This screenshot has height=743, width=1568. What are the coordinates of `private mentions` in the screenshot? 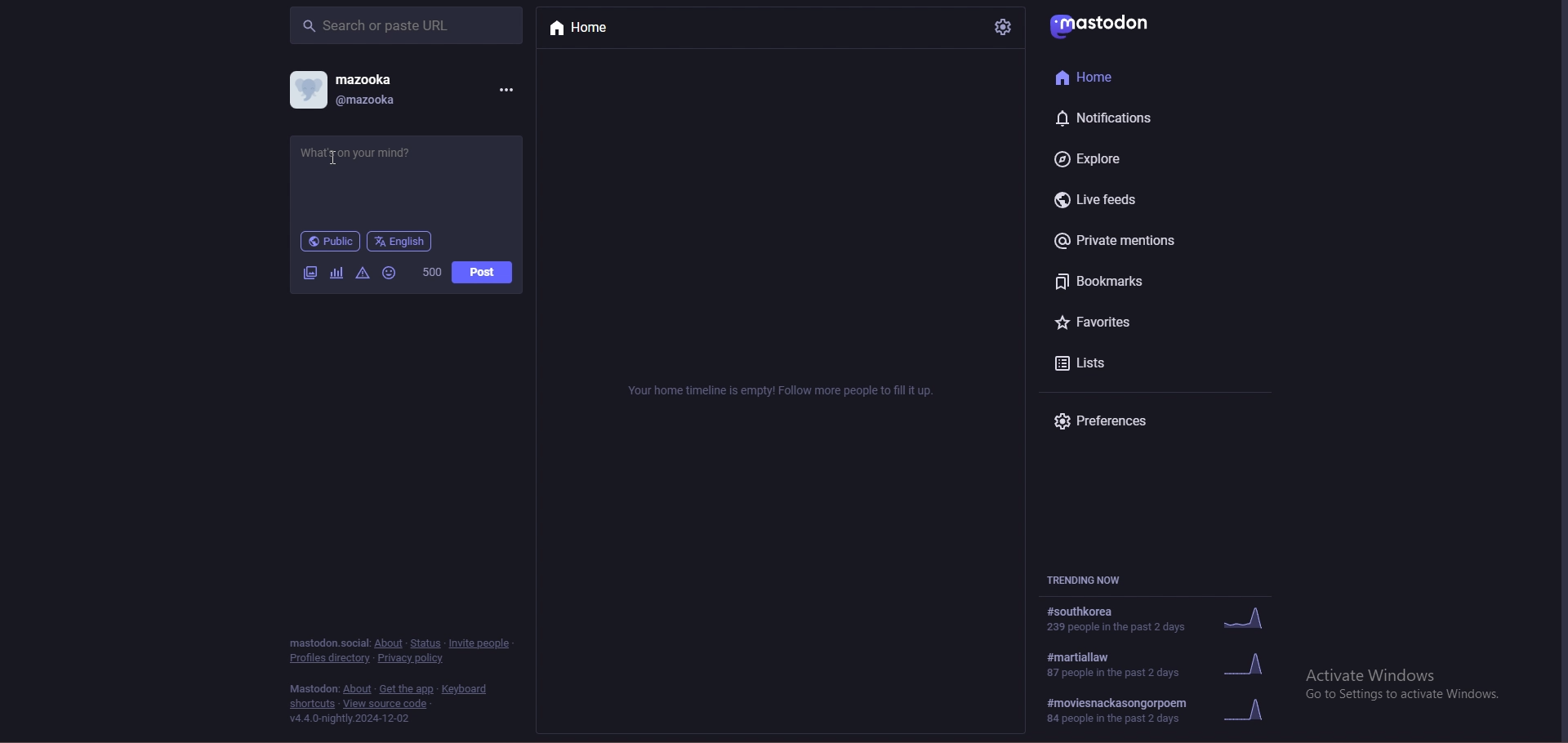 It's located at (1128, 240).